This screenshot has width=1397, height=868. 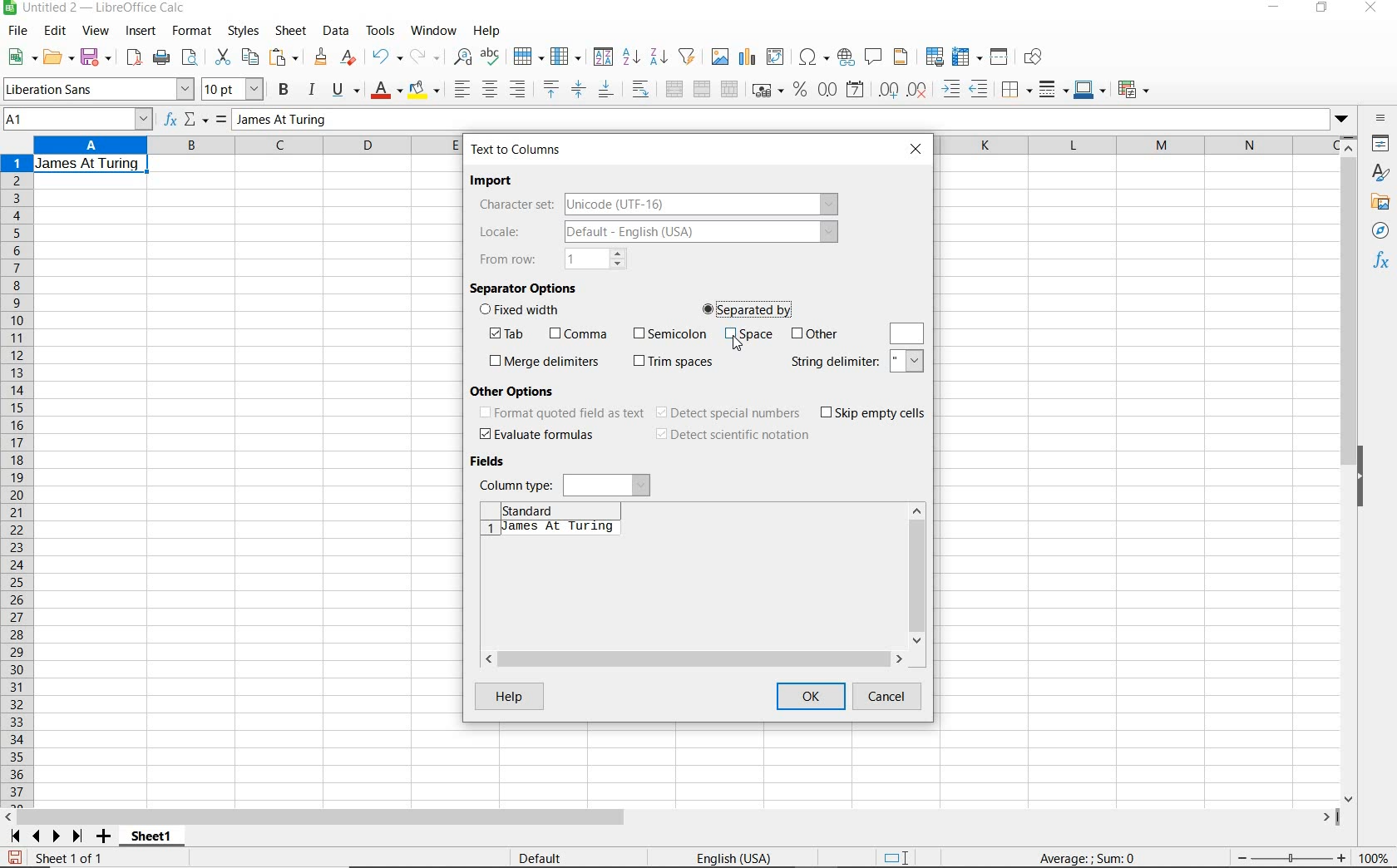 I want to click on align top, so click(x=550, y=89).